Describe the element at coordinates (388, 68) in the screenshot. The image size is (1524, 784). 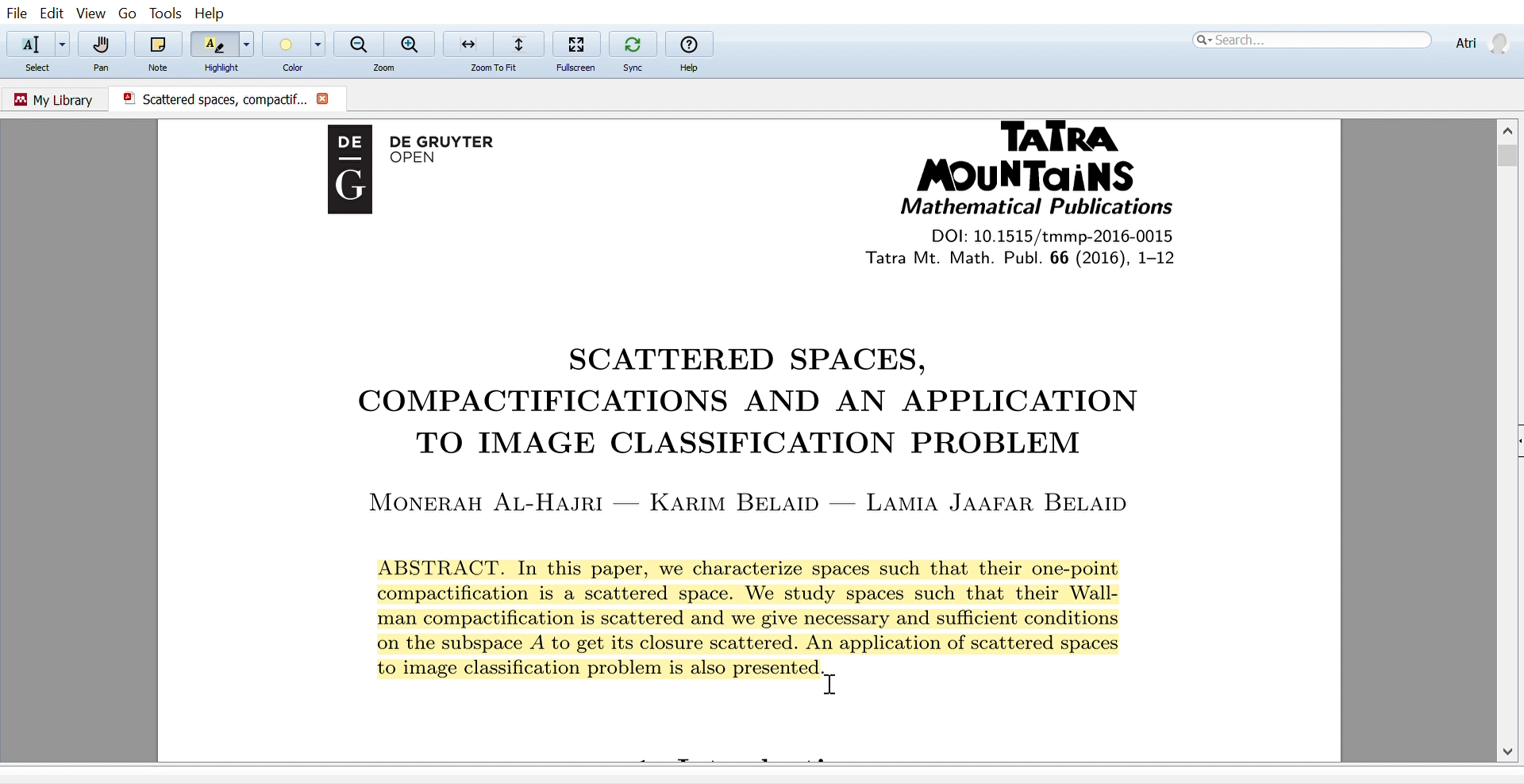
I see `Zoom` at that location.